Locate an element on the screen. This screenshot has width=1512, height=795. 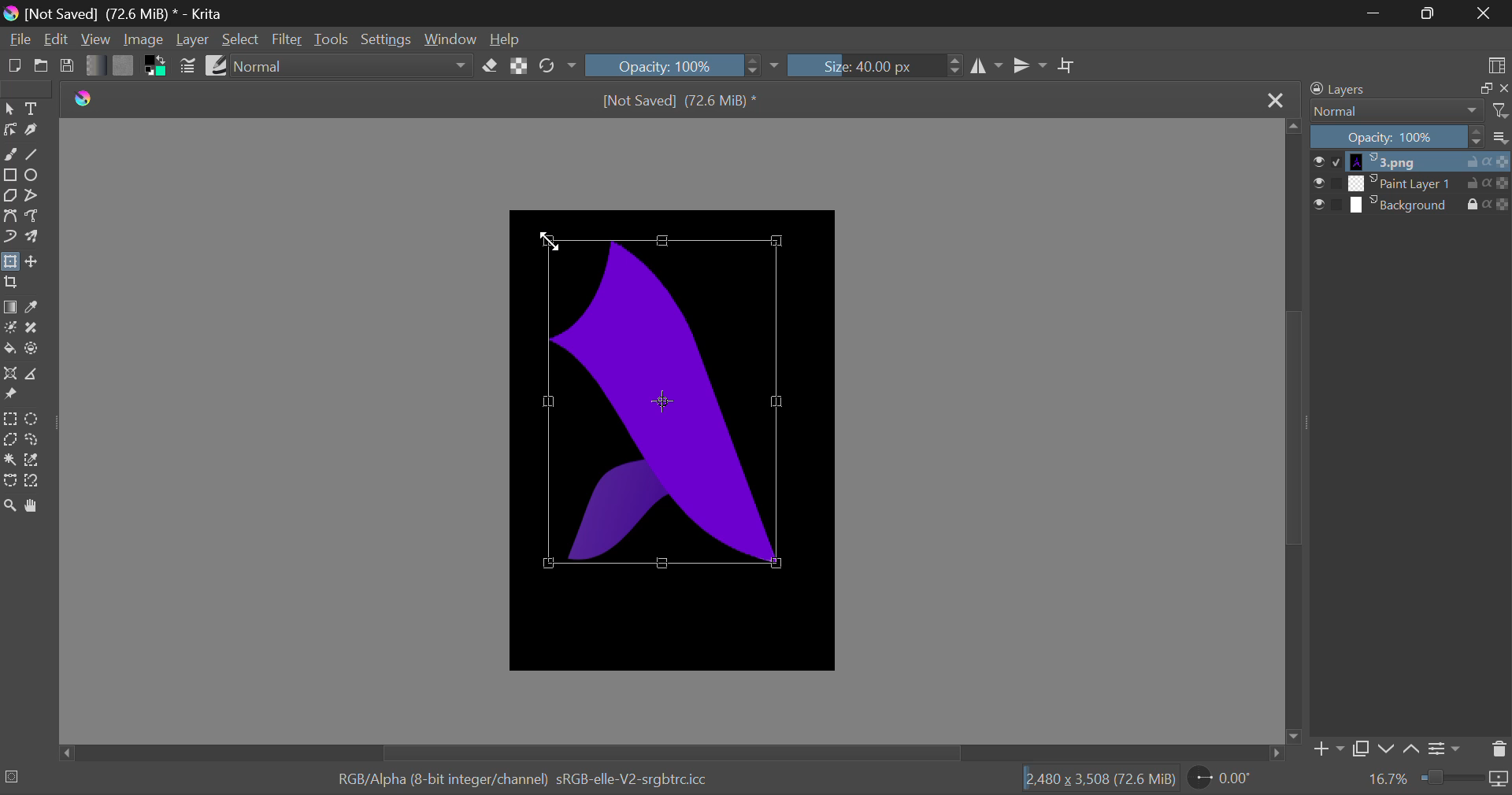
Layer is located at coordinates (193, 39).